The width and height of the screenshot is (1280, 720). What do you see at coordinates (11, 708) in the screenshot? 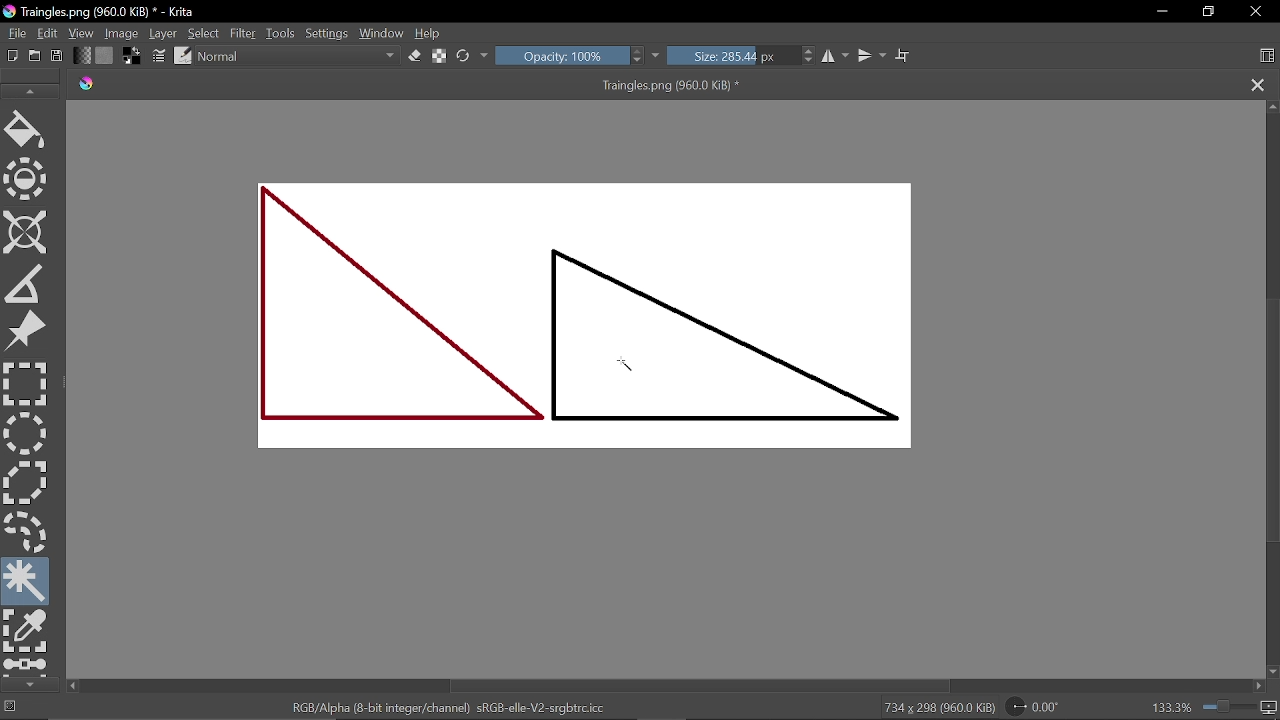
I see `No selection` at bounding box center [11, 708].